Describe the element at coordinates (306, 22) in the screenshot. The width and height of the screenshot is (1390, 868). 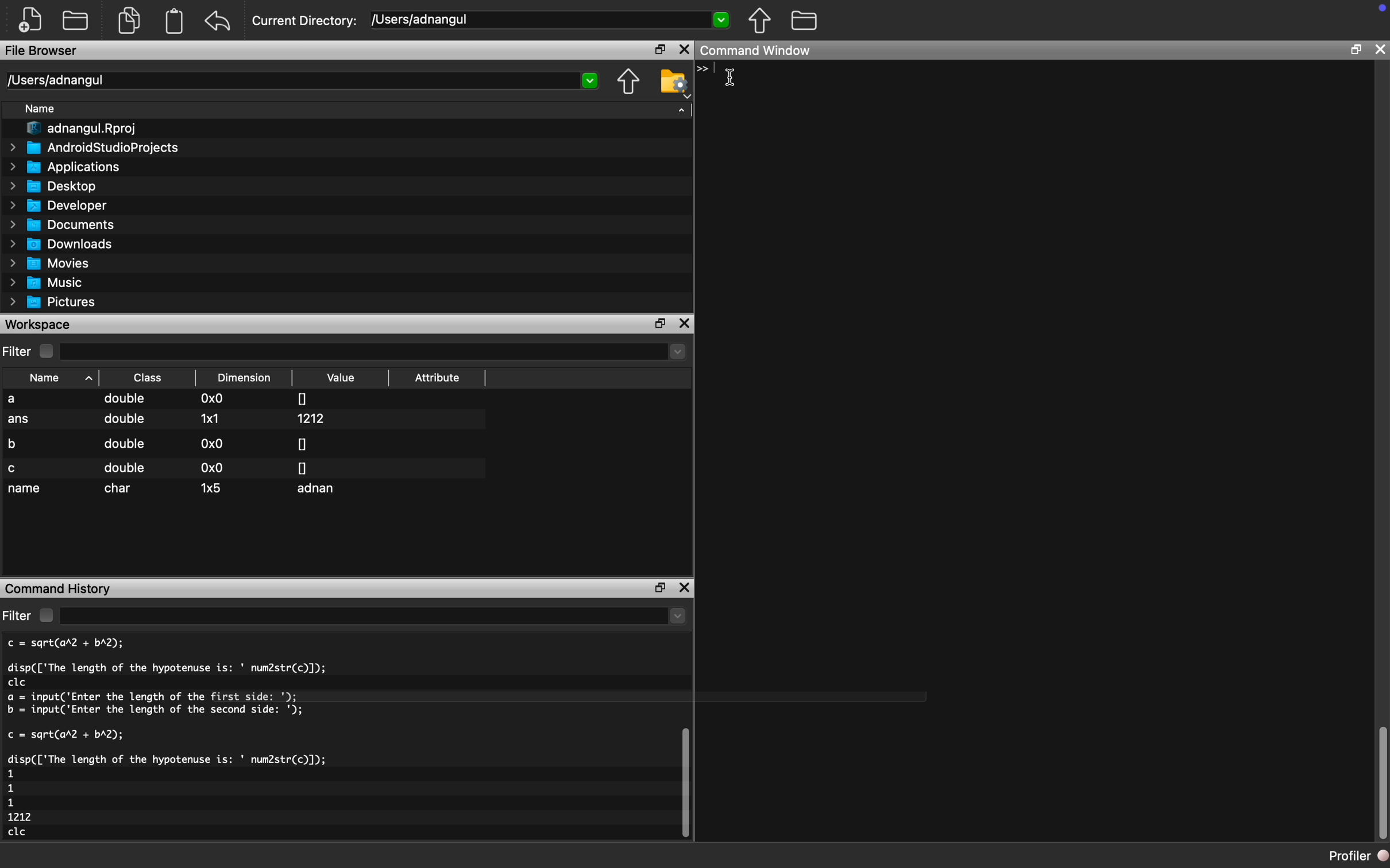
I see `Current Directory:` at that location.